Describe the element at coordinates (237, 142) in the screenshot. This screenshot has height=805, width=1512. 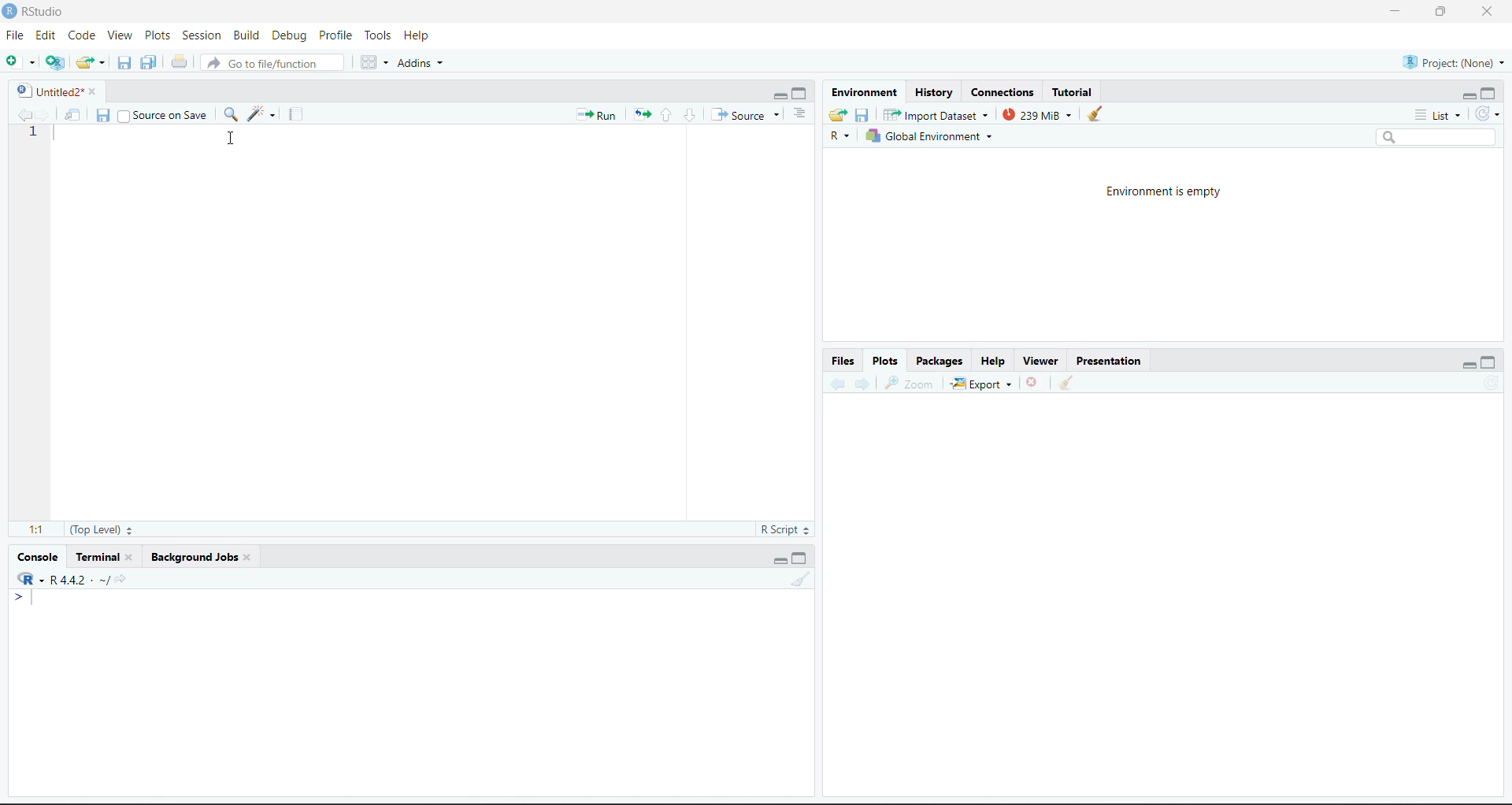
I see `Cursor` at that location.